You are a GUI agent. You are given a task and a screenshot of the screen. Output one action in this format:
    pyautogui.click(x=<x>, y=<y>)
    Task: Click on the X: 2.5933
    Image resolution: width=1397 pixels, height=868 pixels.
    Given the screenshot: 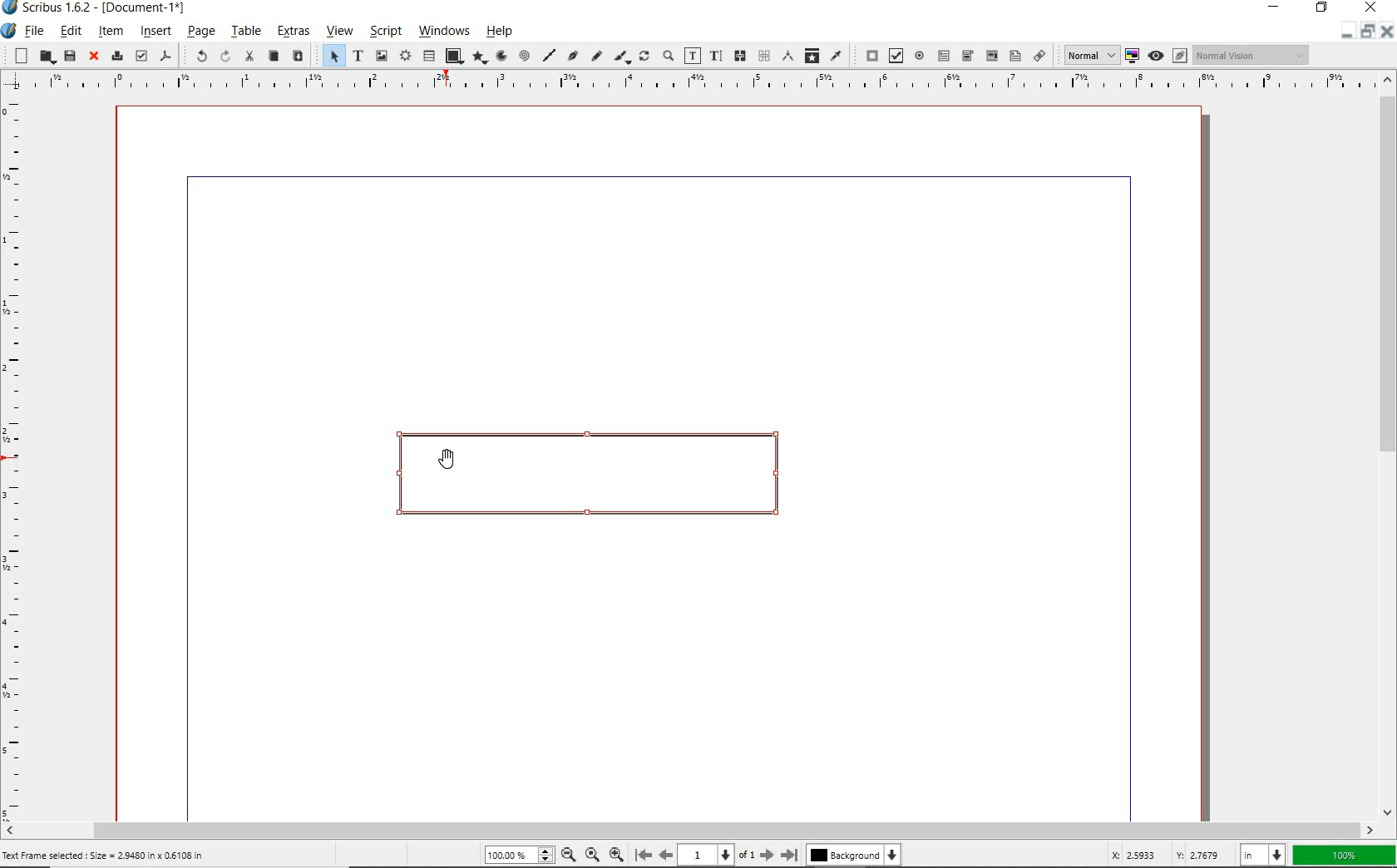 What is the action you would take?
    pyautogui.click(x=1137, y=855)
    